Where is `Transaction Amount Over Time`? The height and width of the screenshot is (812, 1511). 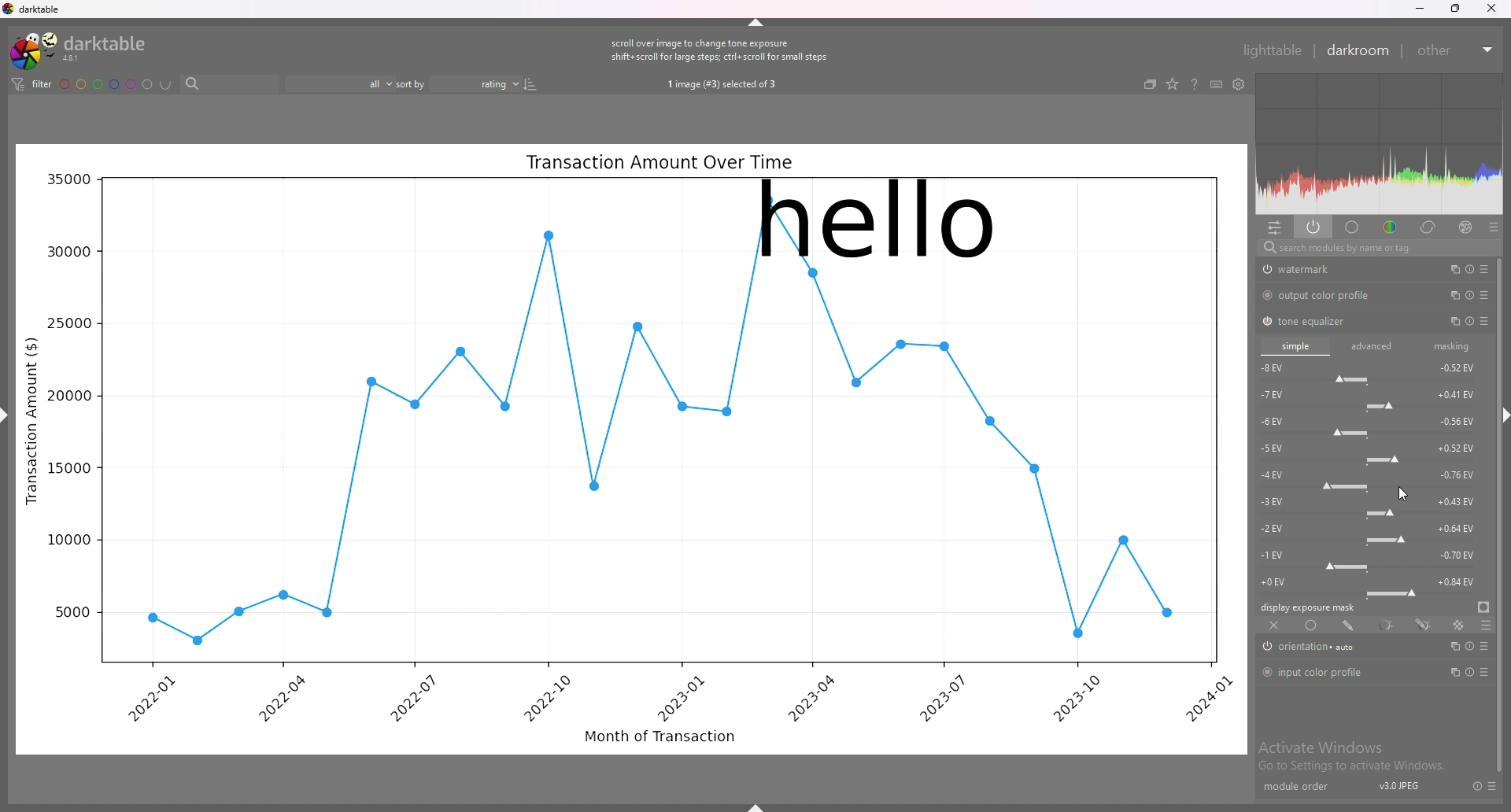 Transaction Amount Over Time is located at coordinates (659, 162).